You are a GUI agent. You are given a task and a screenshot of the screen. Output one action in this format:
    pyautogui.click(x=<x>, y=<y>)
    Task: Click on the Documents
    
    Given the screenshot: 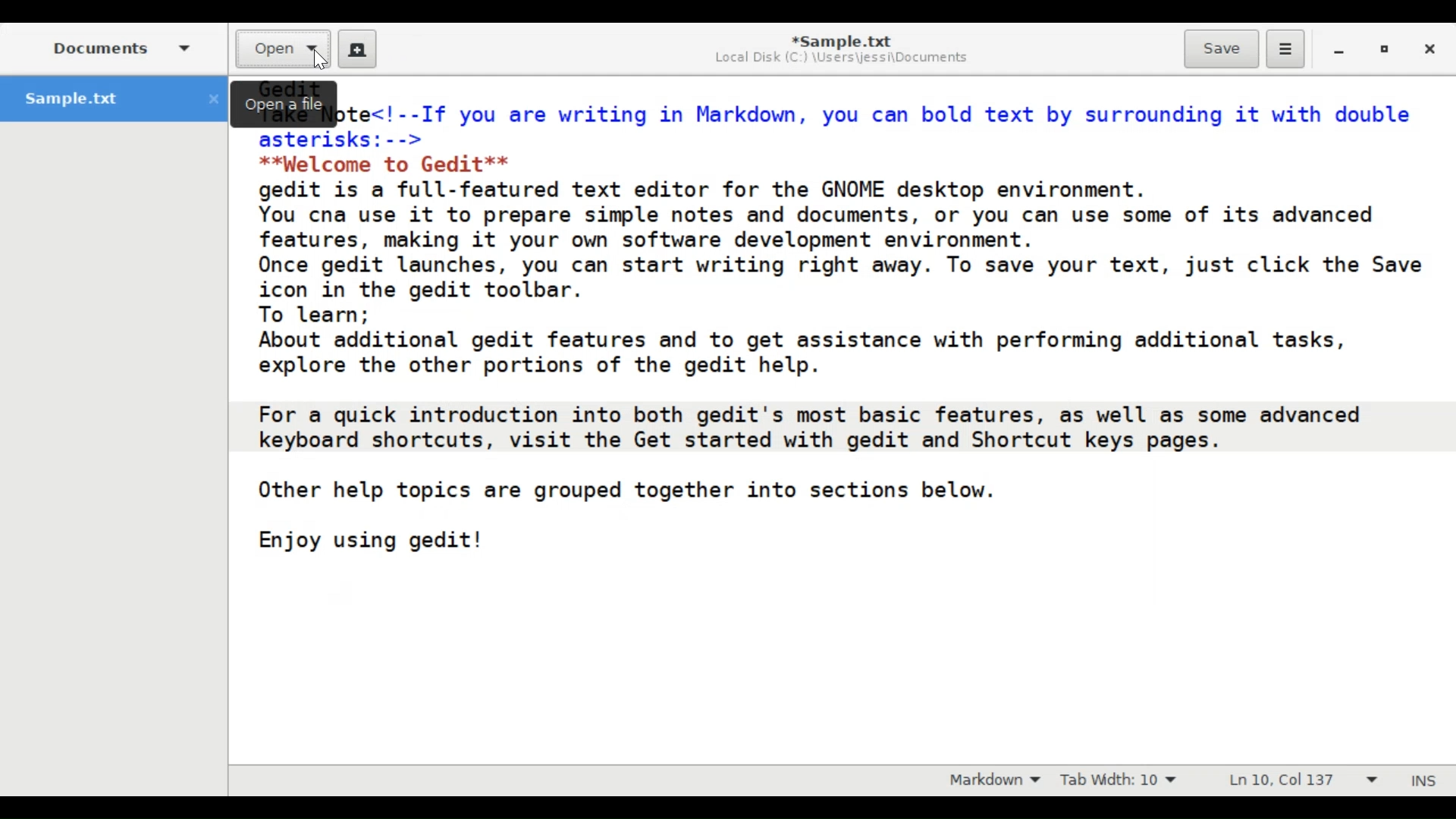 What is the action you would take?
    pyautogui.click(x=119, y=47)
    